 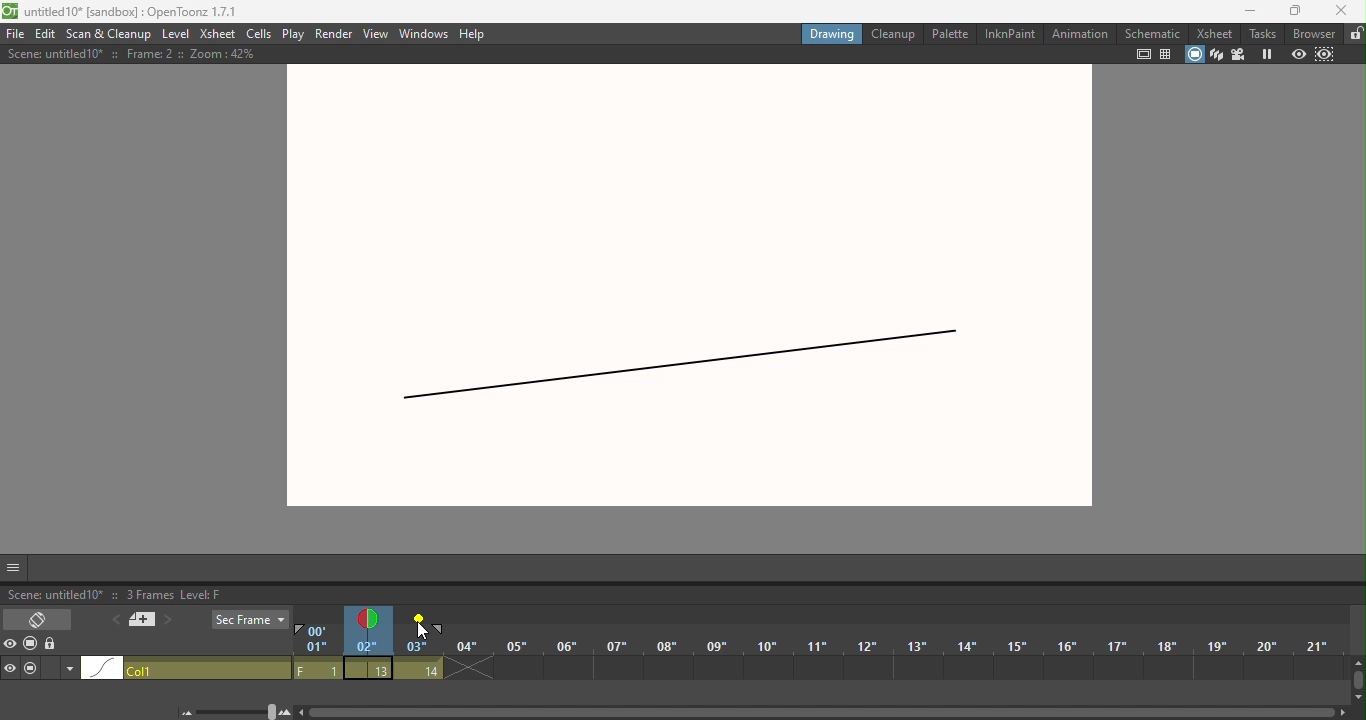 What do you see at coordinates (318, 669) in the screenshot?
I see `F1` at bounding box center [318, 669].